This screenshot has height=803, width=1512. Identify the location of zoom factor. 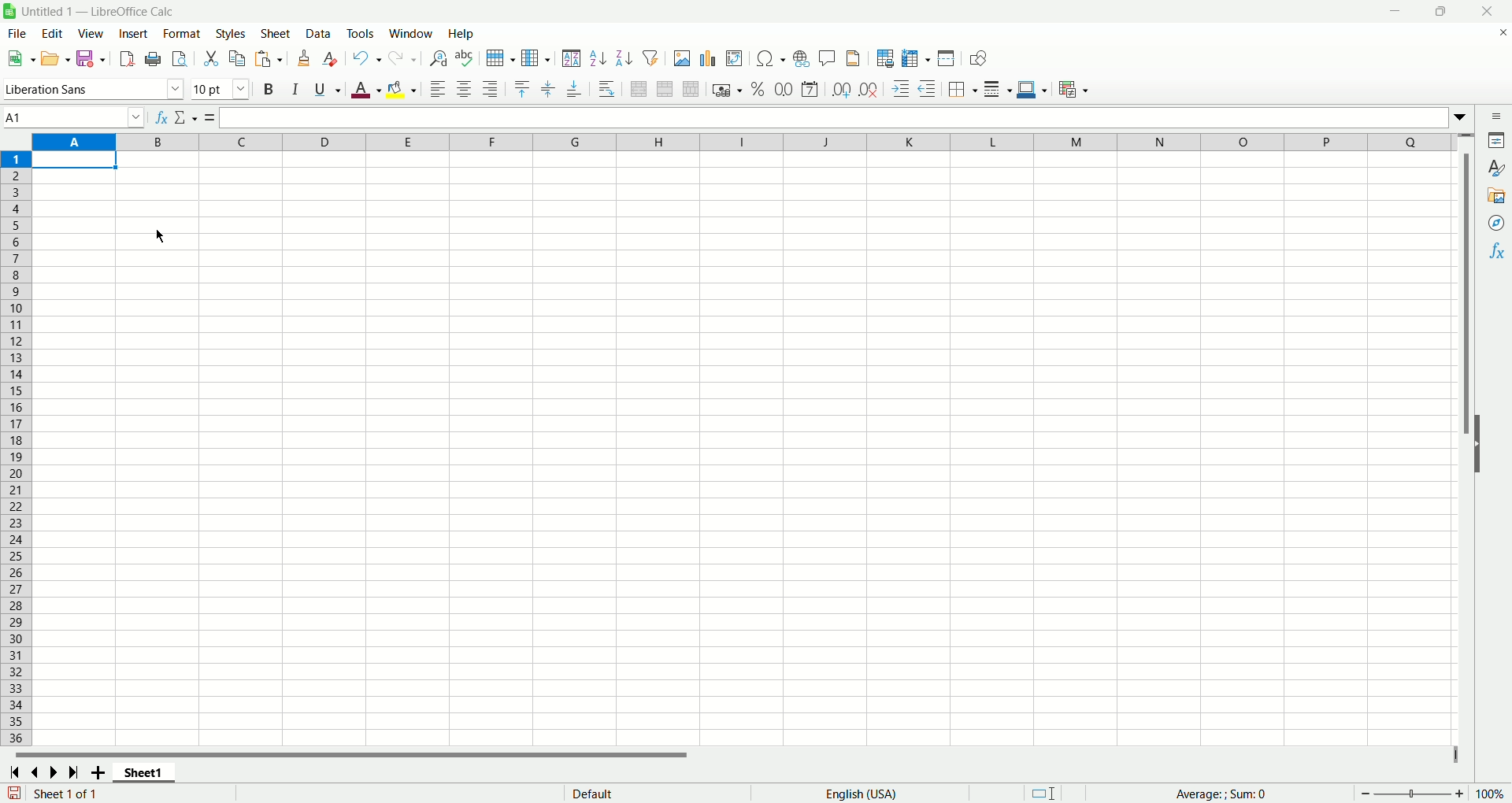
(1430, 792).